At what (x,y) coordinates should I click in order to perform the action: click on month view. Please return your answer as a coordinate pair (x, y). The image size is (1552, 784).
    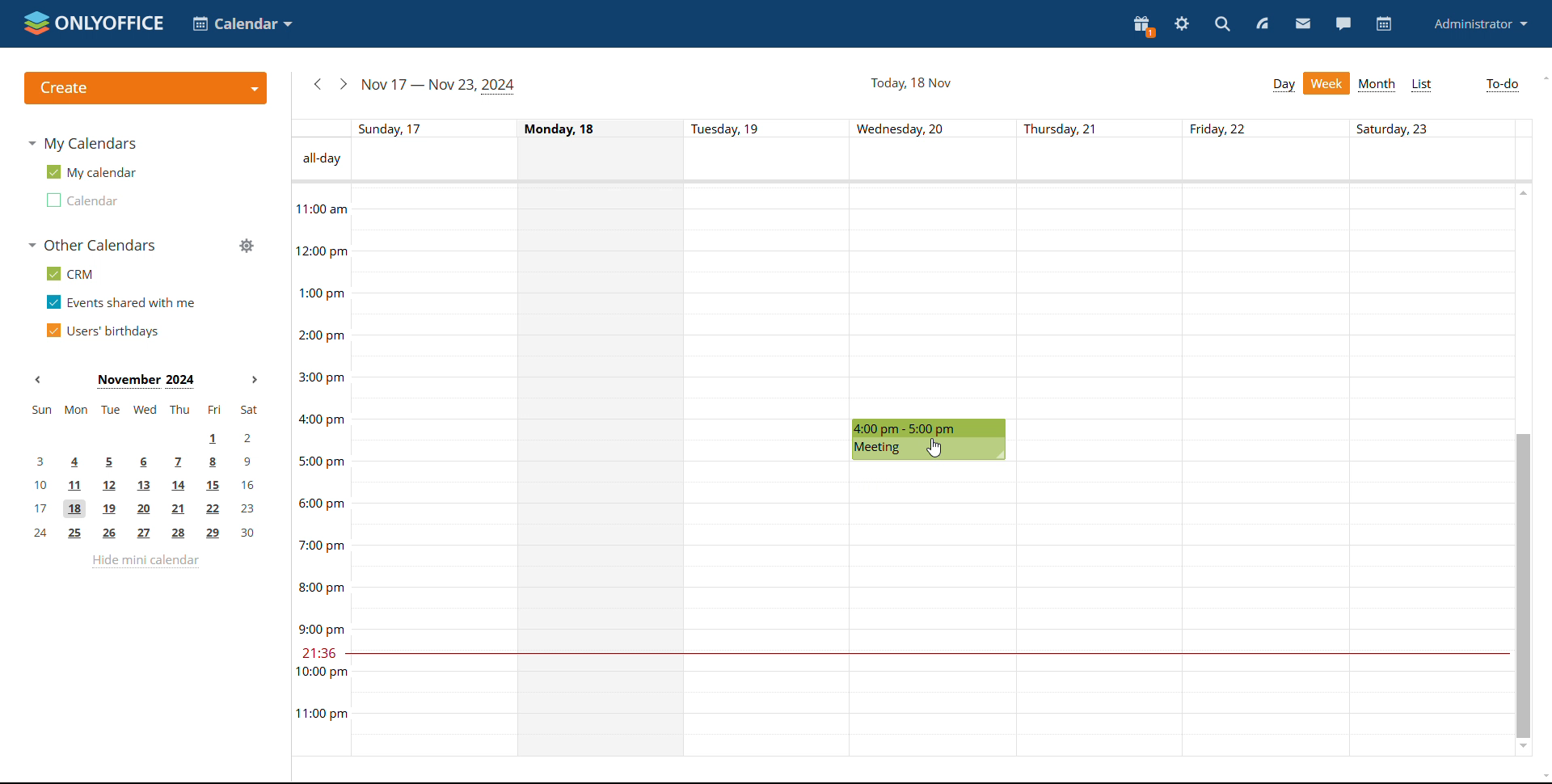
    Looking at the image, I should click on (1377, 85).